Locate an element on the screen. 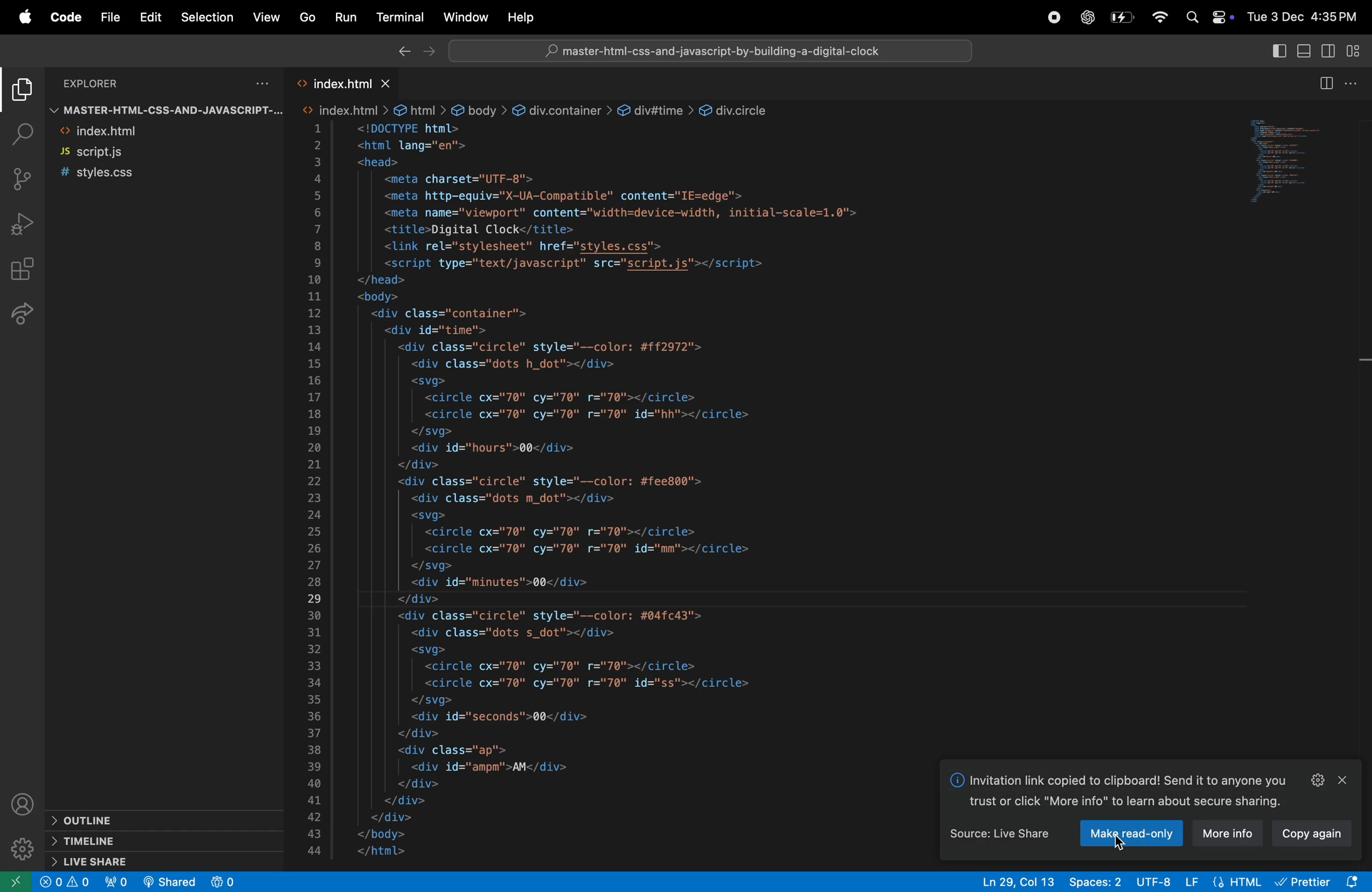 The image size is (1372, 892). live share is located at coordinates (171, 881).